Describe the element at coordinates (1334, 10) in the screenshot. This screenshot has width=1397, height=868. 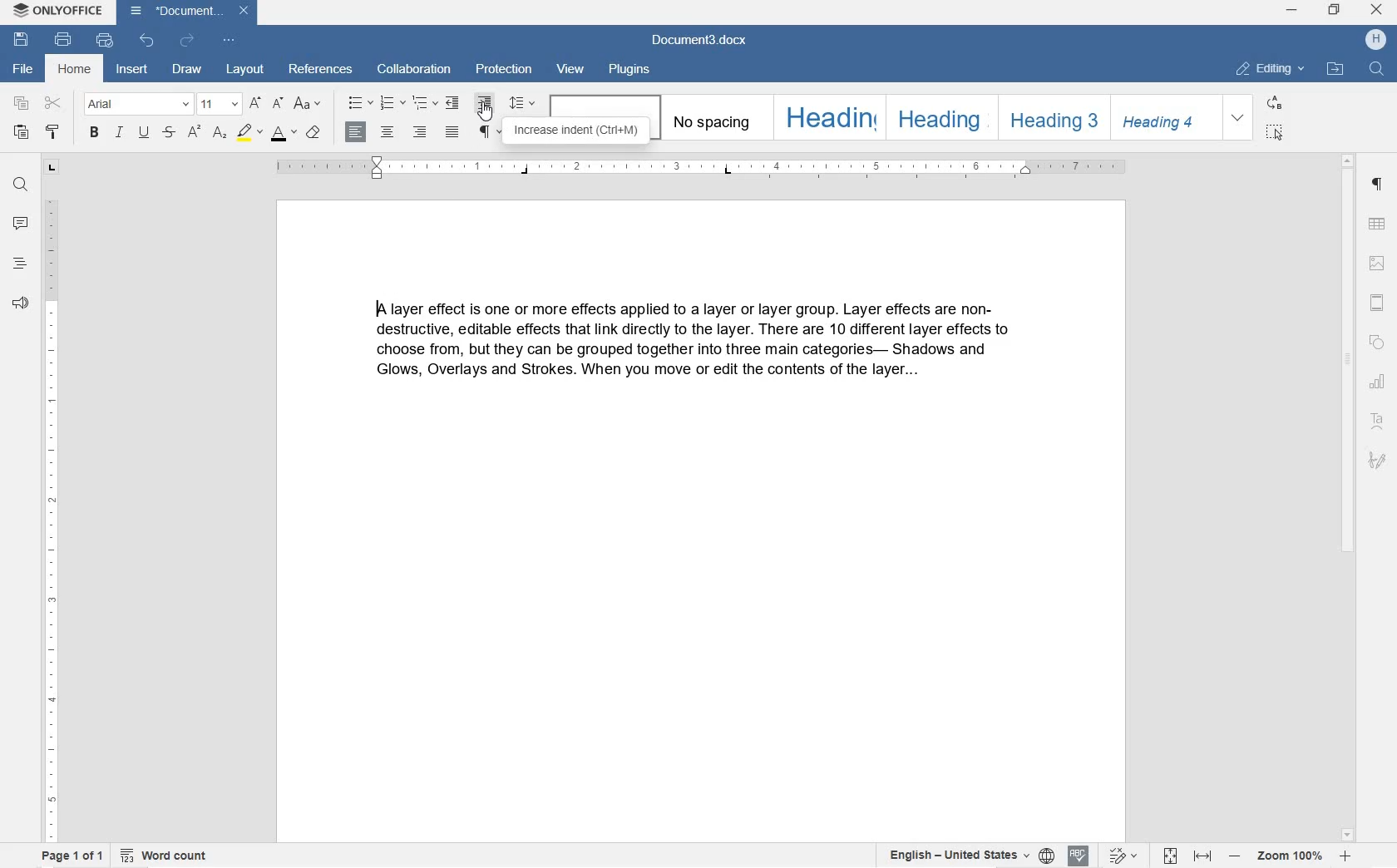
I see `RESTORE` at that location.